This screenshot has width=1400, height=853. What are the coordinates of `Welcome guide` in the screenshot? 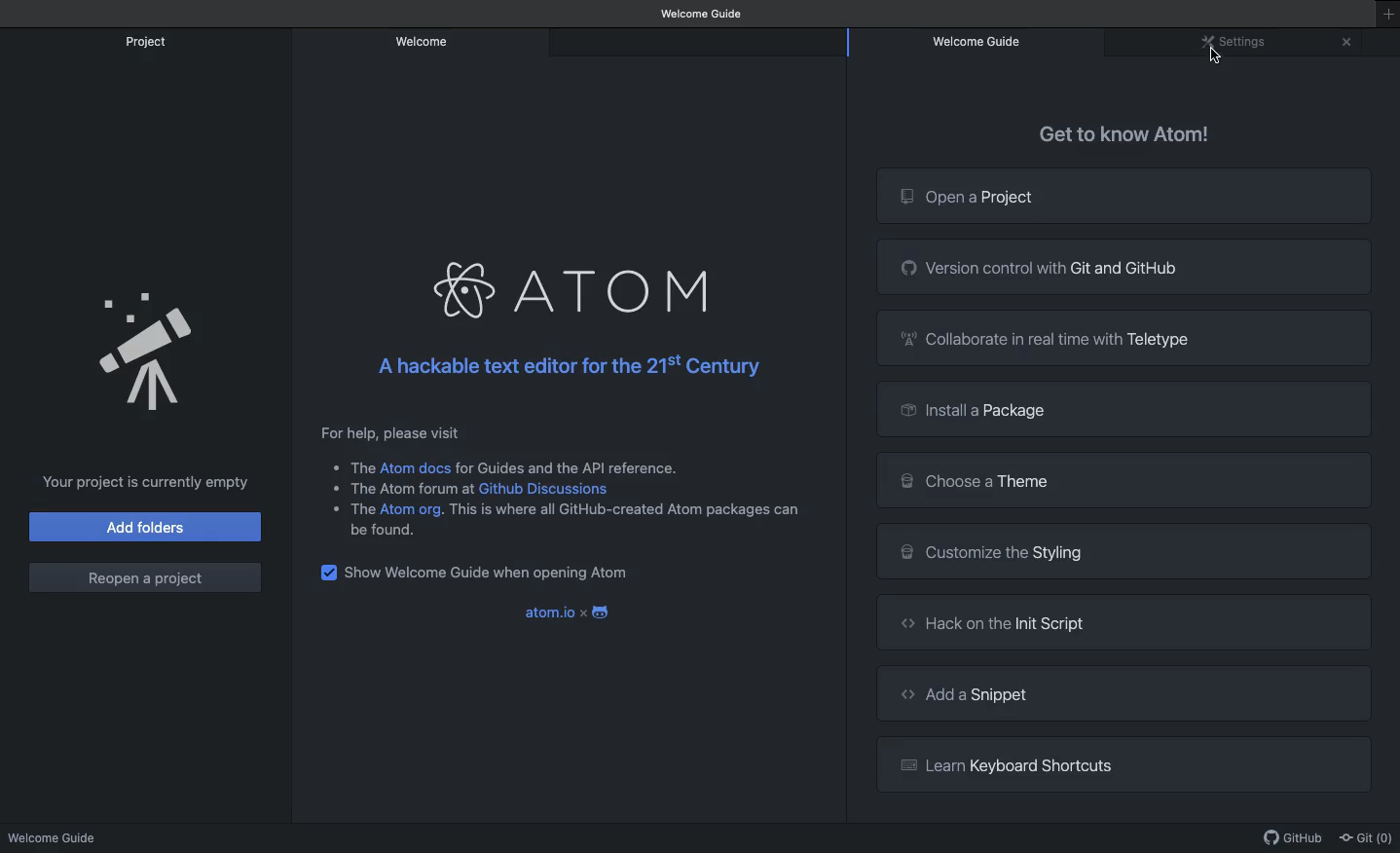 It's located at (55, 835).